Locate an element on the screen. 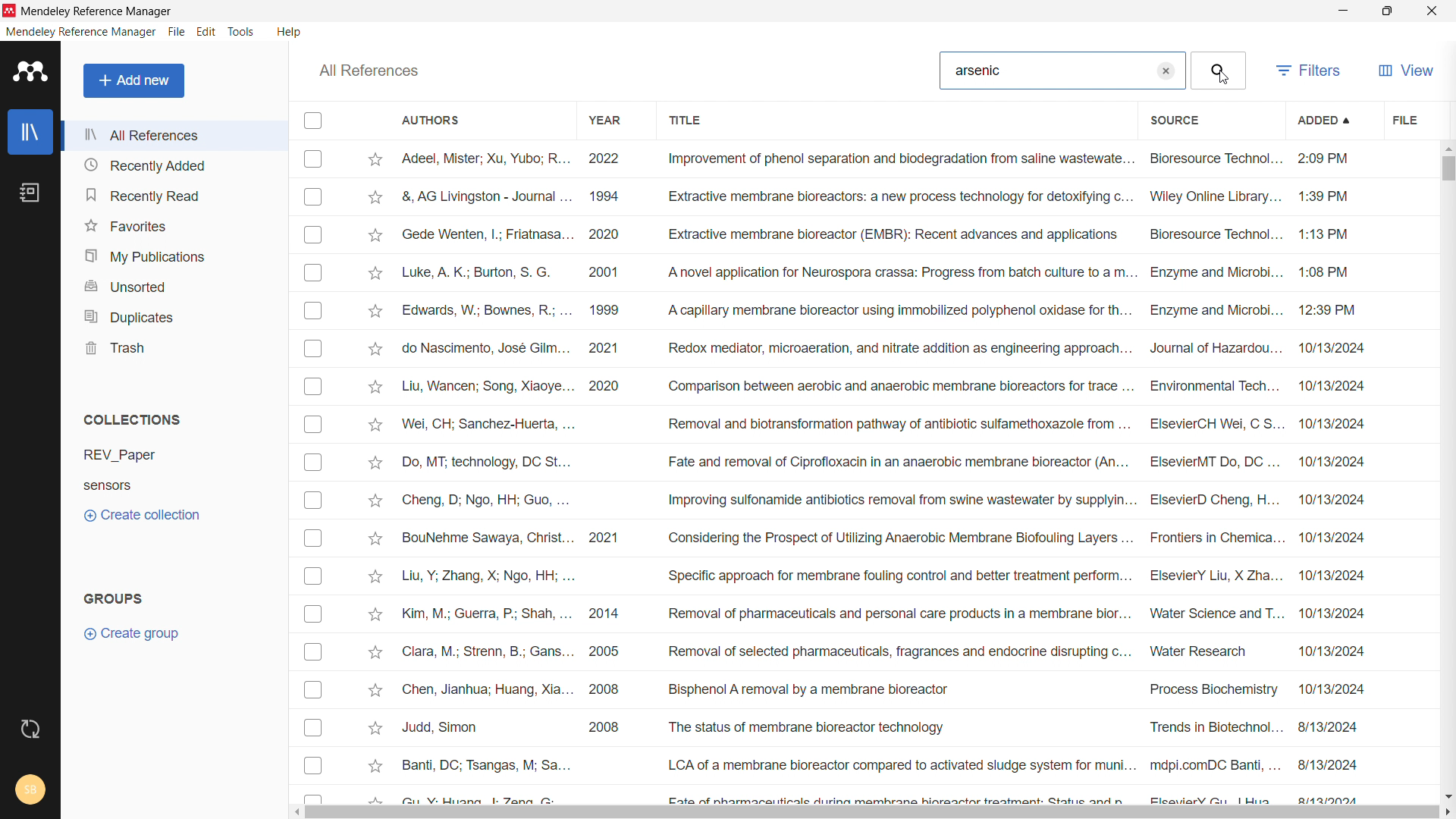 This screenshot has height=819, width=1456. Checkbox is located at coordinates (313, 691).